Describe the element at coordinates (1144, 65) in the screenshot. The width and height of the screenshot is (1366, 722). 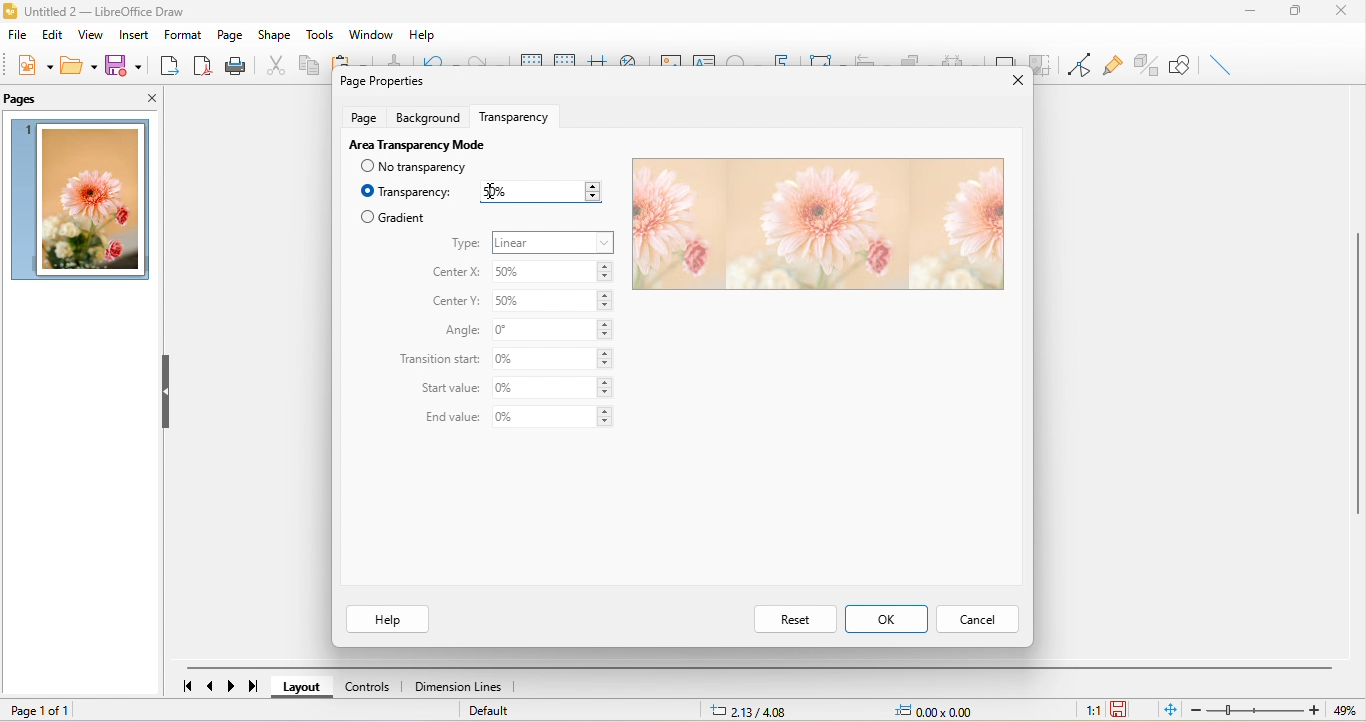
I see `toggle extrusion` at that location.